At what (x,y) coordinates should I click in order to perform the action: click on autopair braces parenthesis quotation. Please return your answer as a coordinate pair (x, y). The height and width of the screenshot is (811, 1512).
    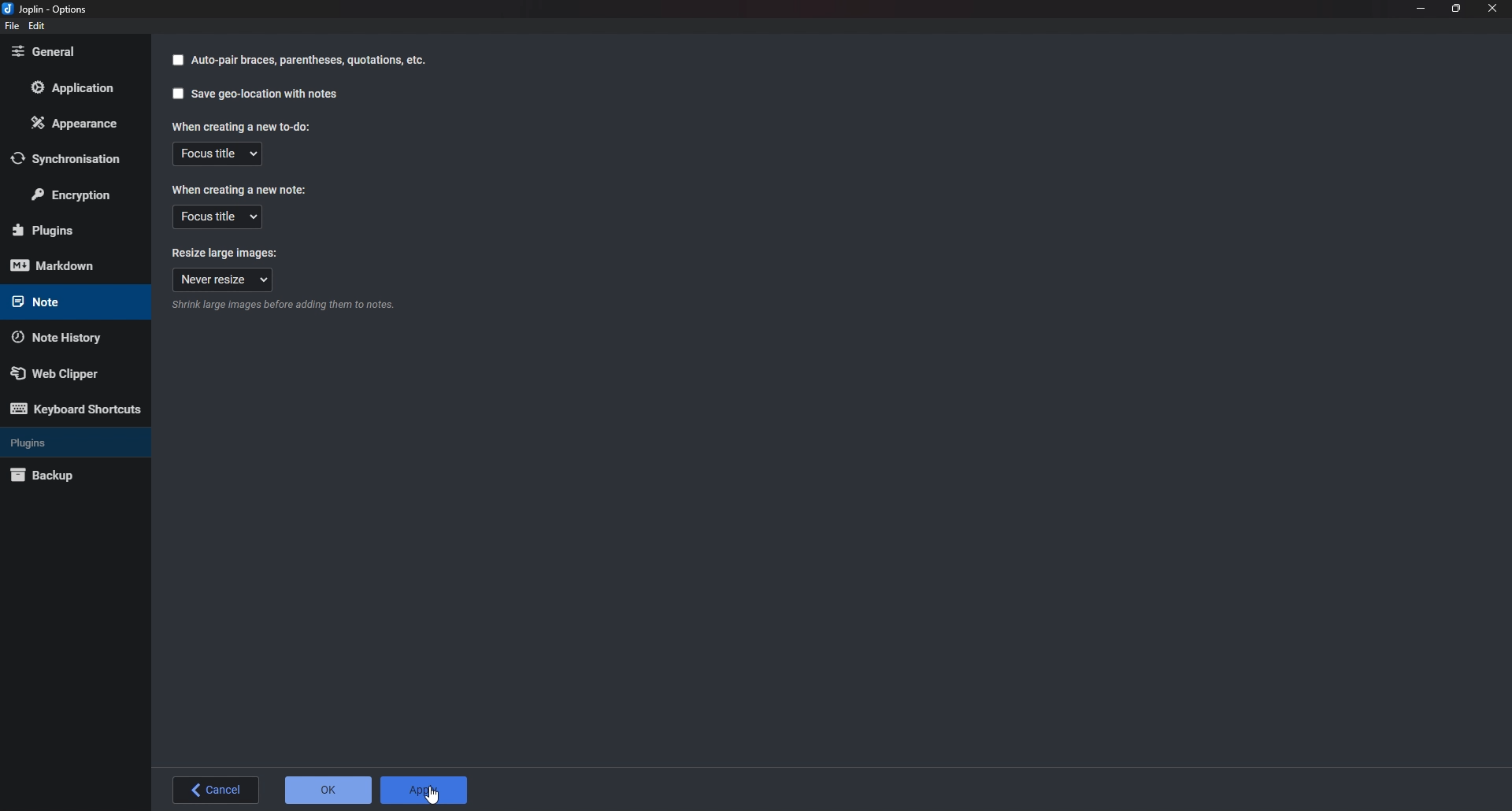
    Looking at the image, I should click on (310, 62).